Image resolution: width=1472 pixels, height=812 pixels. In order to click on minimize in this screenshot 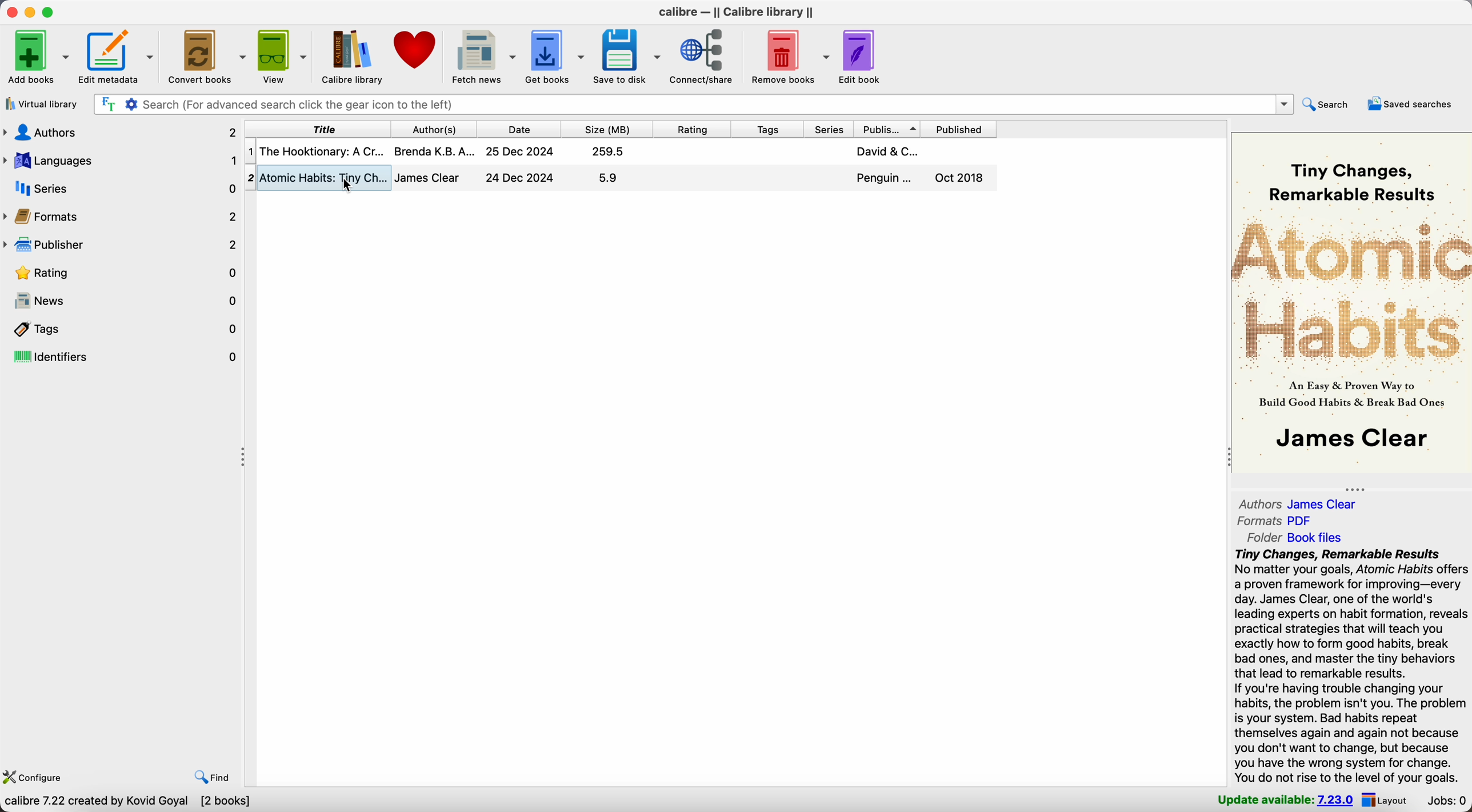, I will do `click(30, 11)`.